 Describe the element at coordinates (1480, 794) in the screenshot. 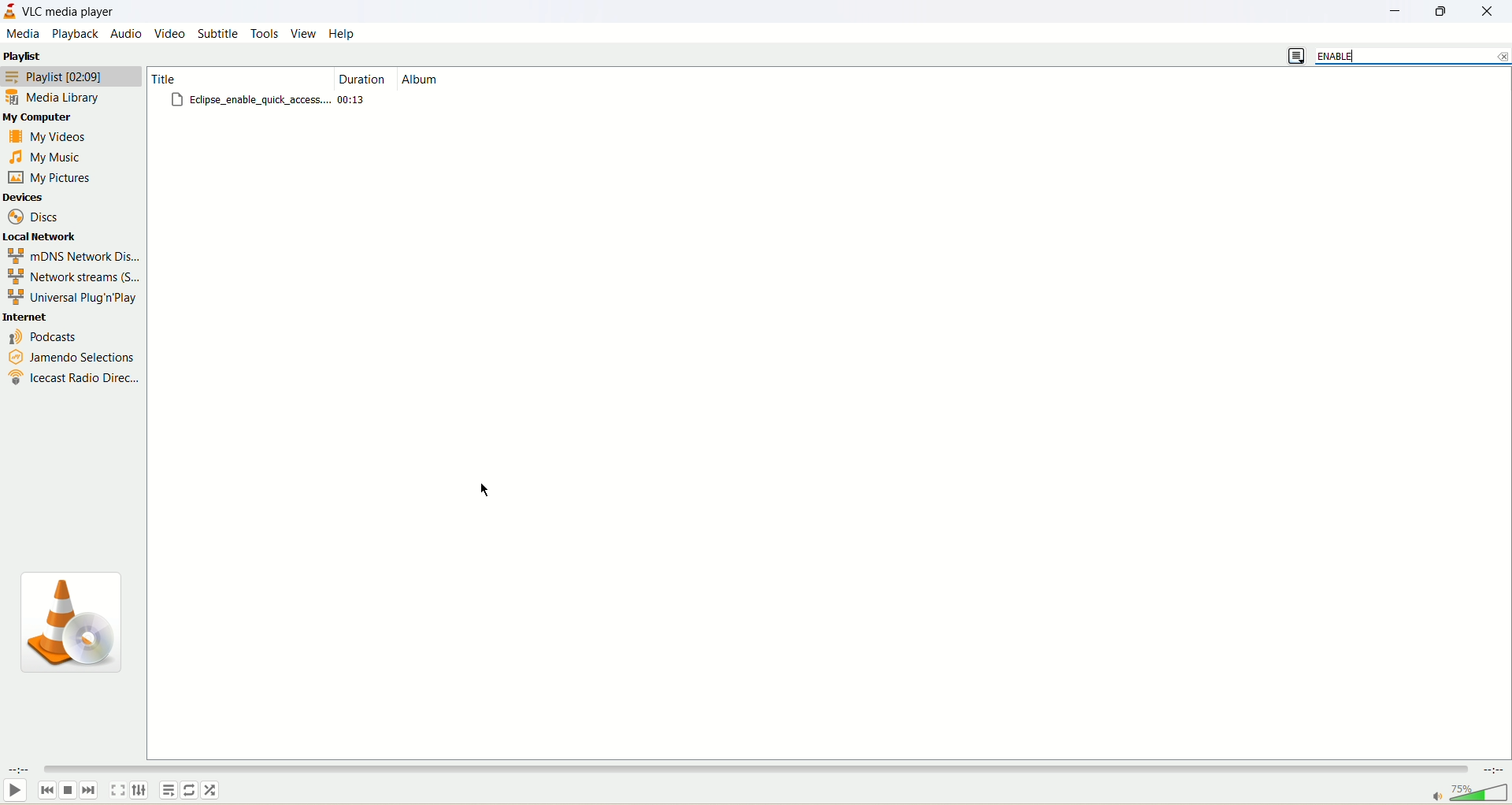

I see `volume bar` at that location.